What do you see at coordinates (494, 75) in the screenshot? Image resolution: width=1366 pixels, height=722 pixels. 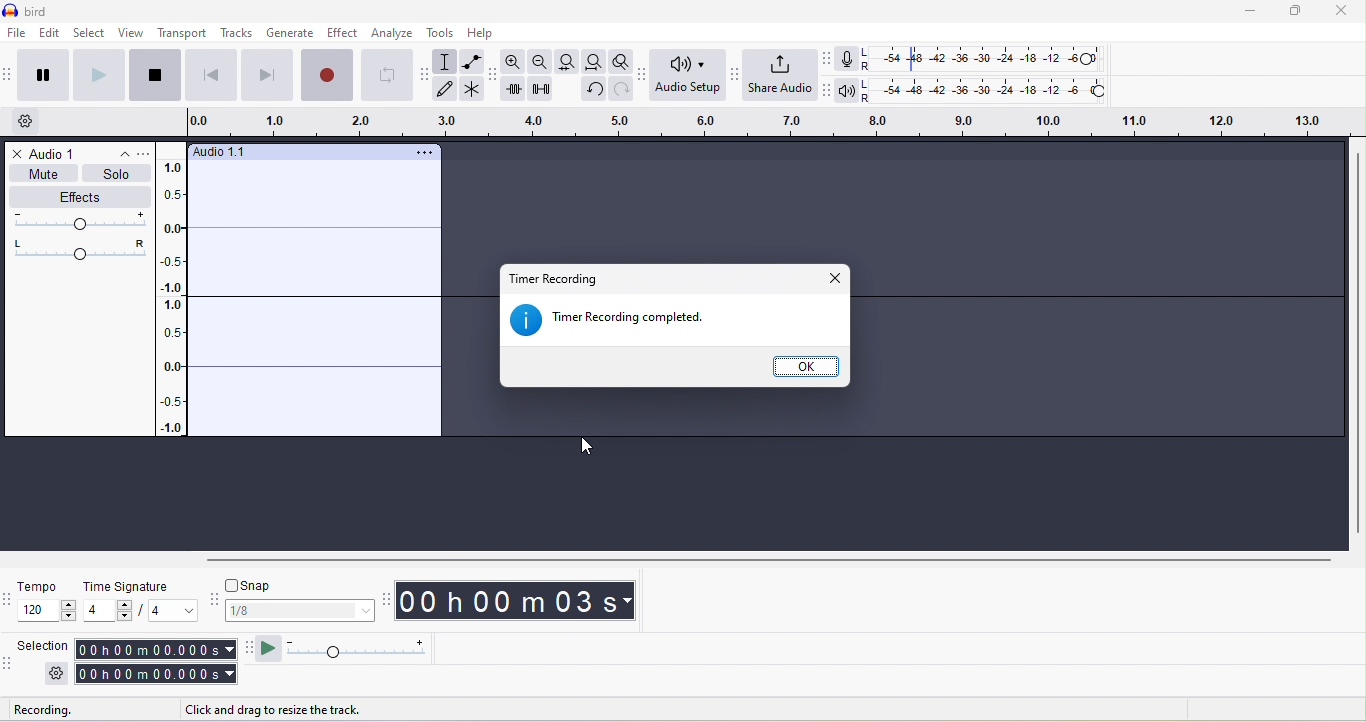 I see `audacity edit toolbar` at bounding box center [494, 75].